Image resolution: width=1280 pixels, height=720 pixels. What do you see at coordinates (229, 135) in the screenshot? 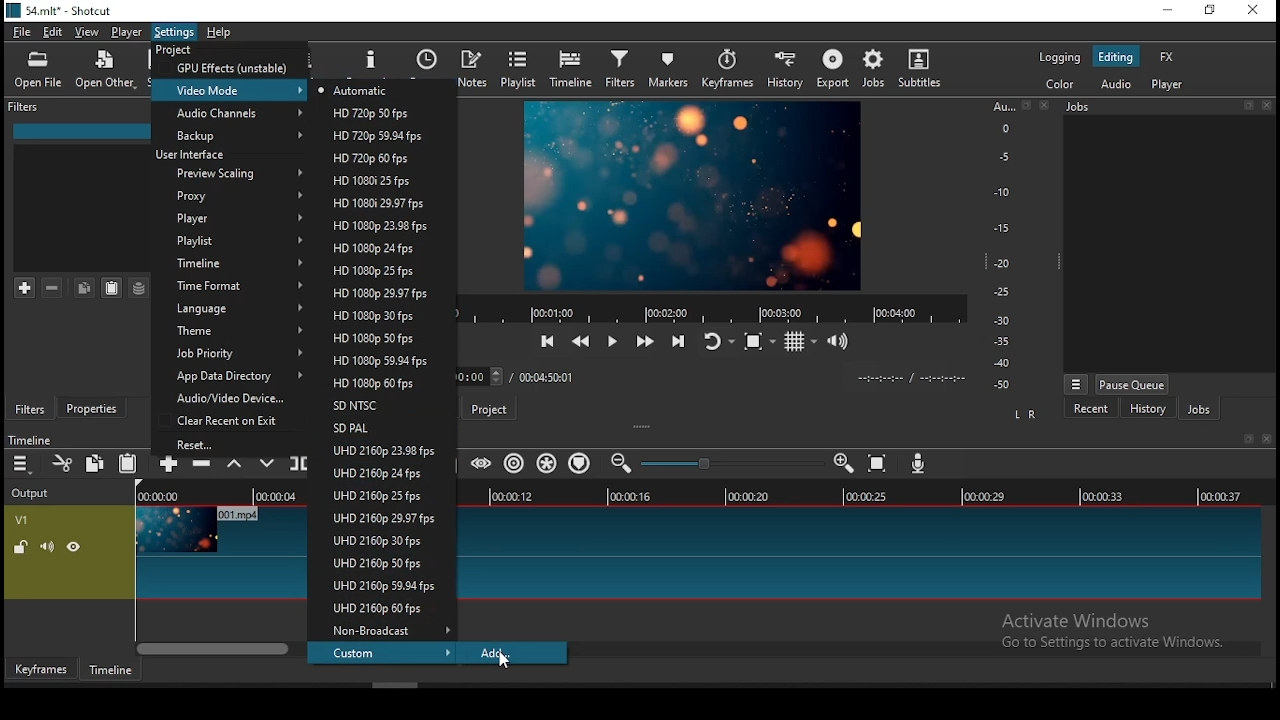
I see `backup` at bounding box center [229, 135].